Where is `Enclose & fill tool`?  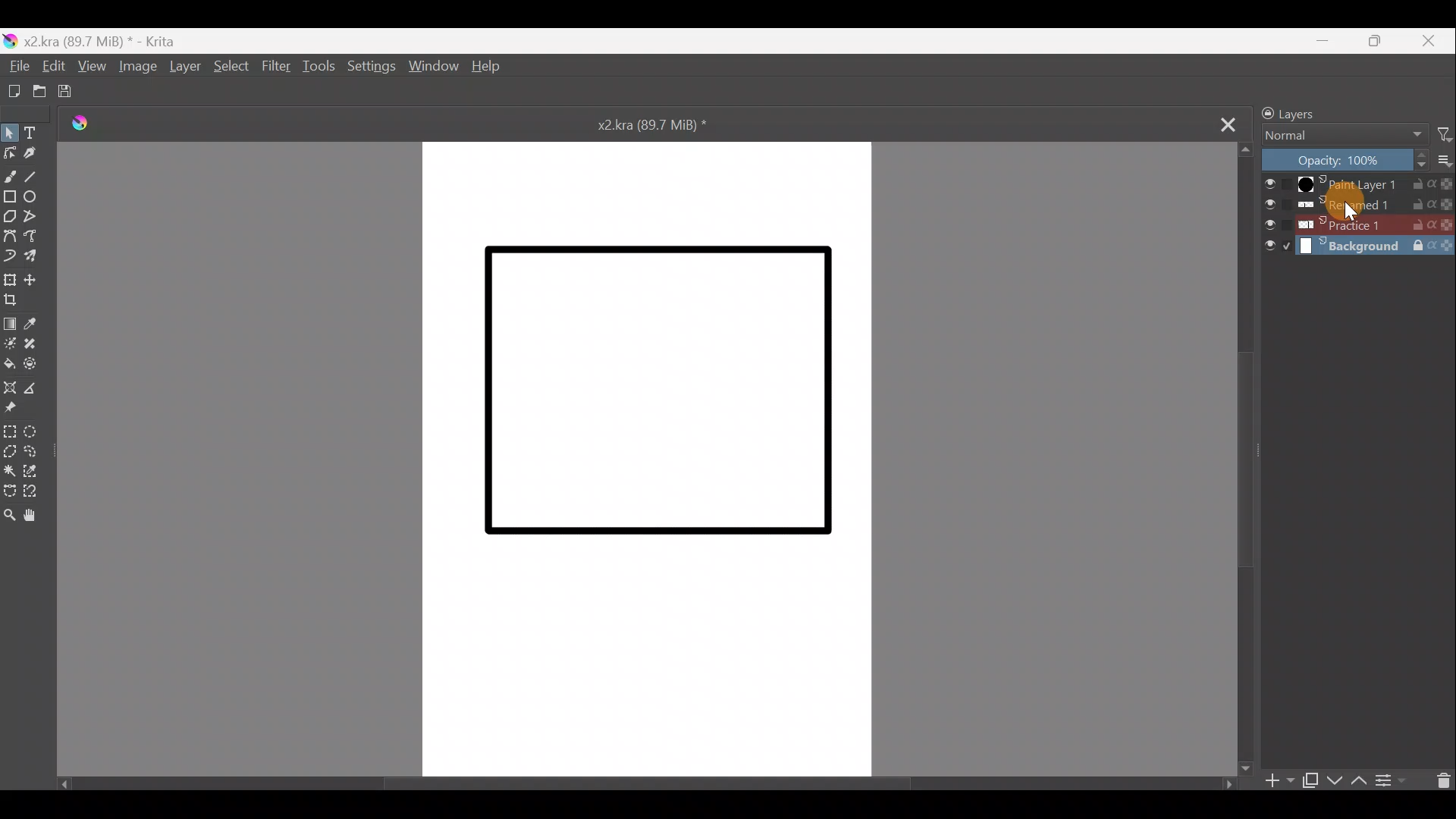 Enclose & fill tool is located at coordinates (38, 363).